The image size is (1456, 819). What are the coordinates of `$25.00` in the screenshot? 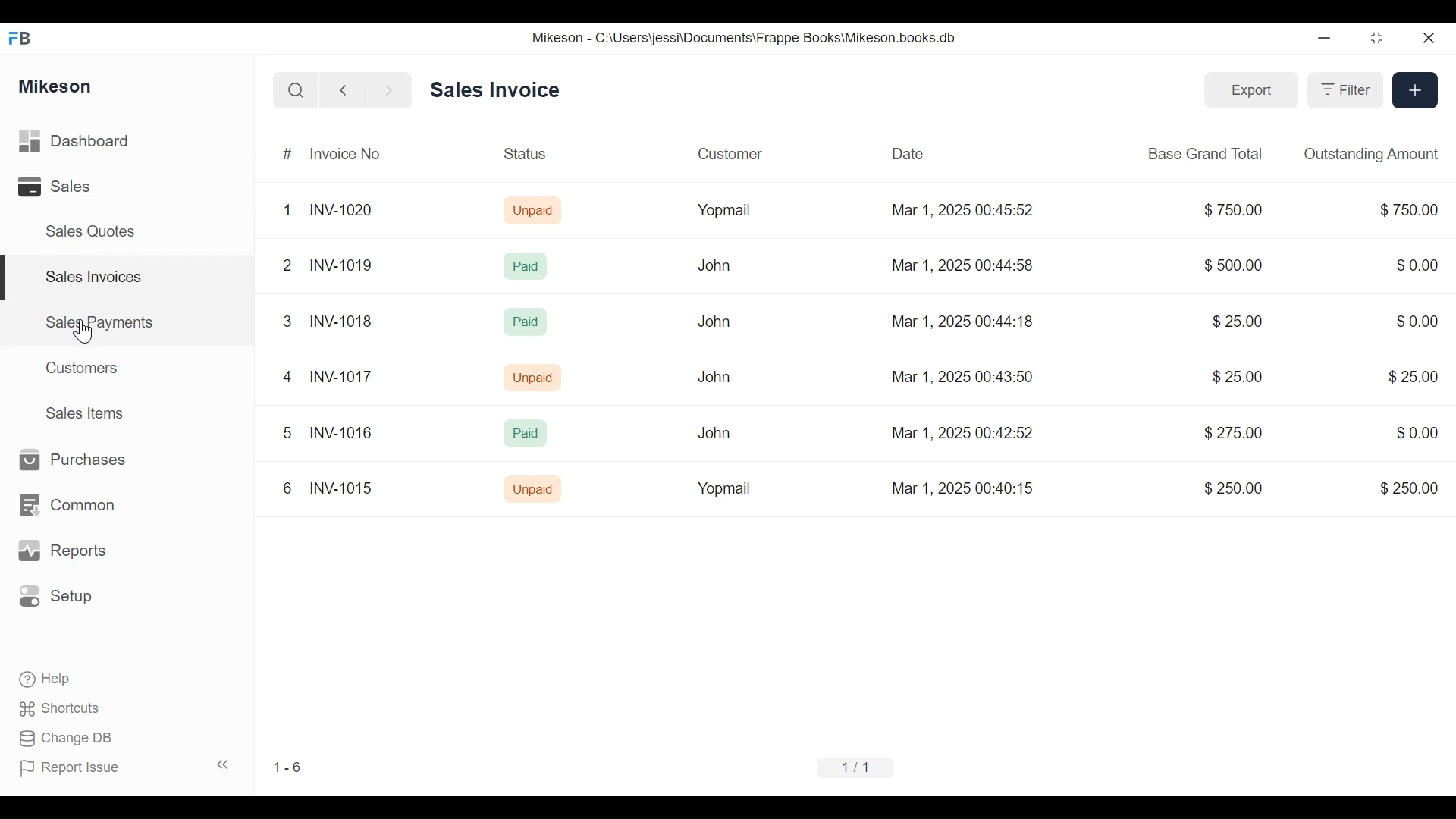 It's located at (1233, 378).